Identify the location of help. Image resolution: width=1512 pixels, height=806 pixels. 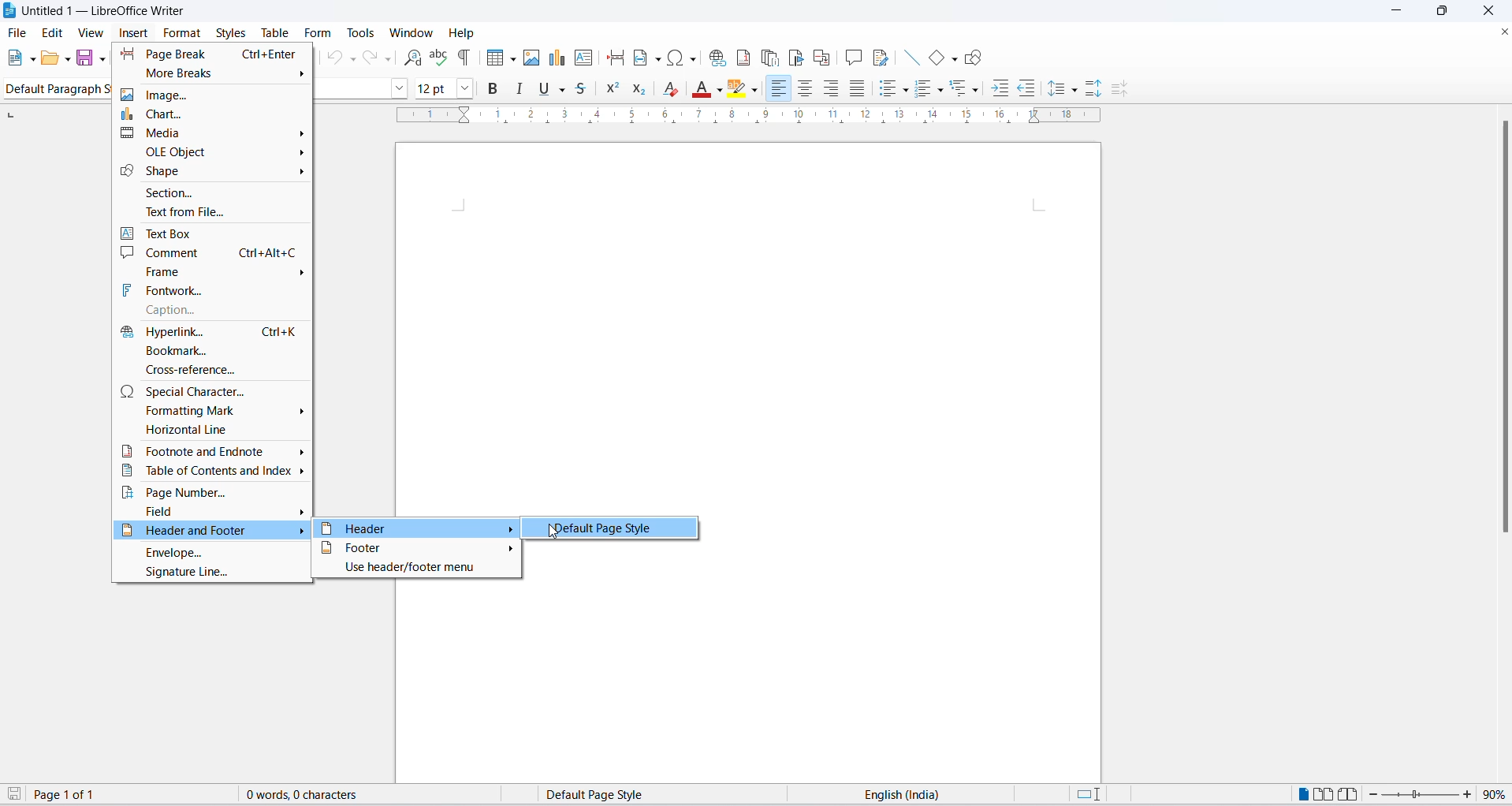
(459, 32).